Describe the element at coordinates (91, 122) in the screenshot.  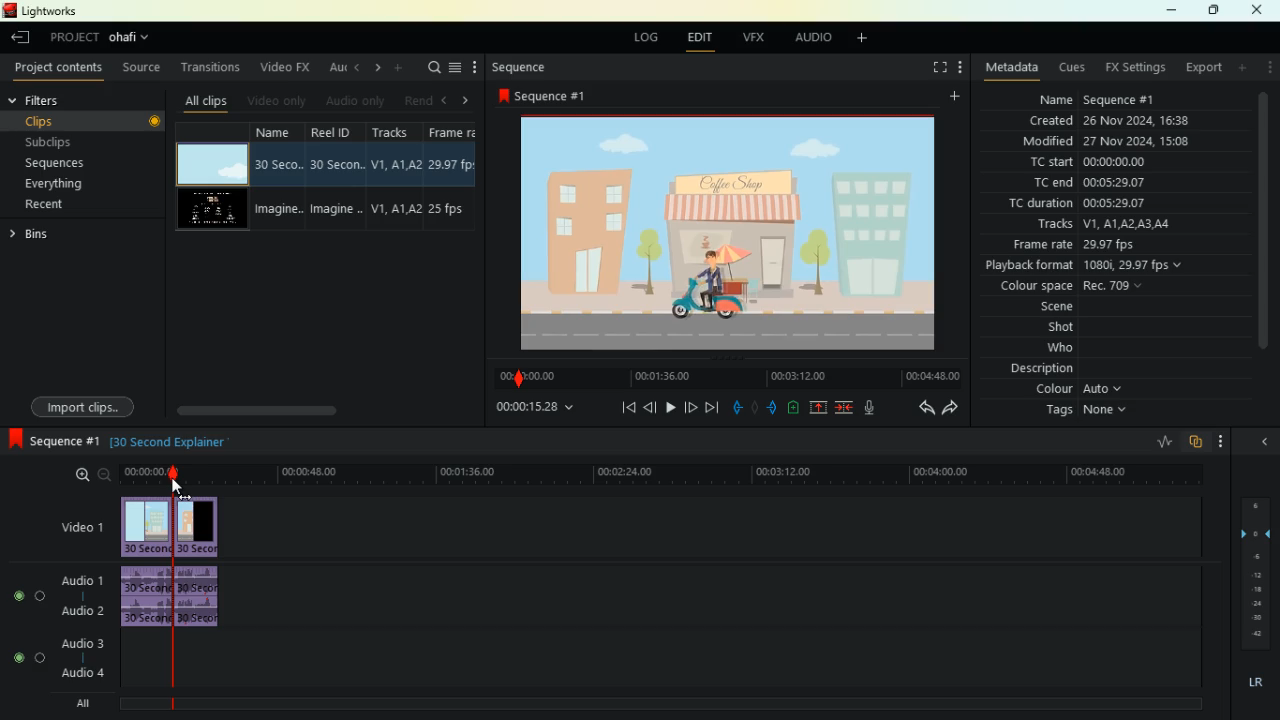
I see `clips` at that location.